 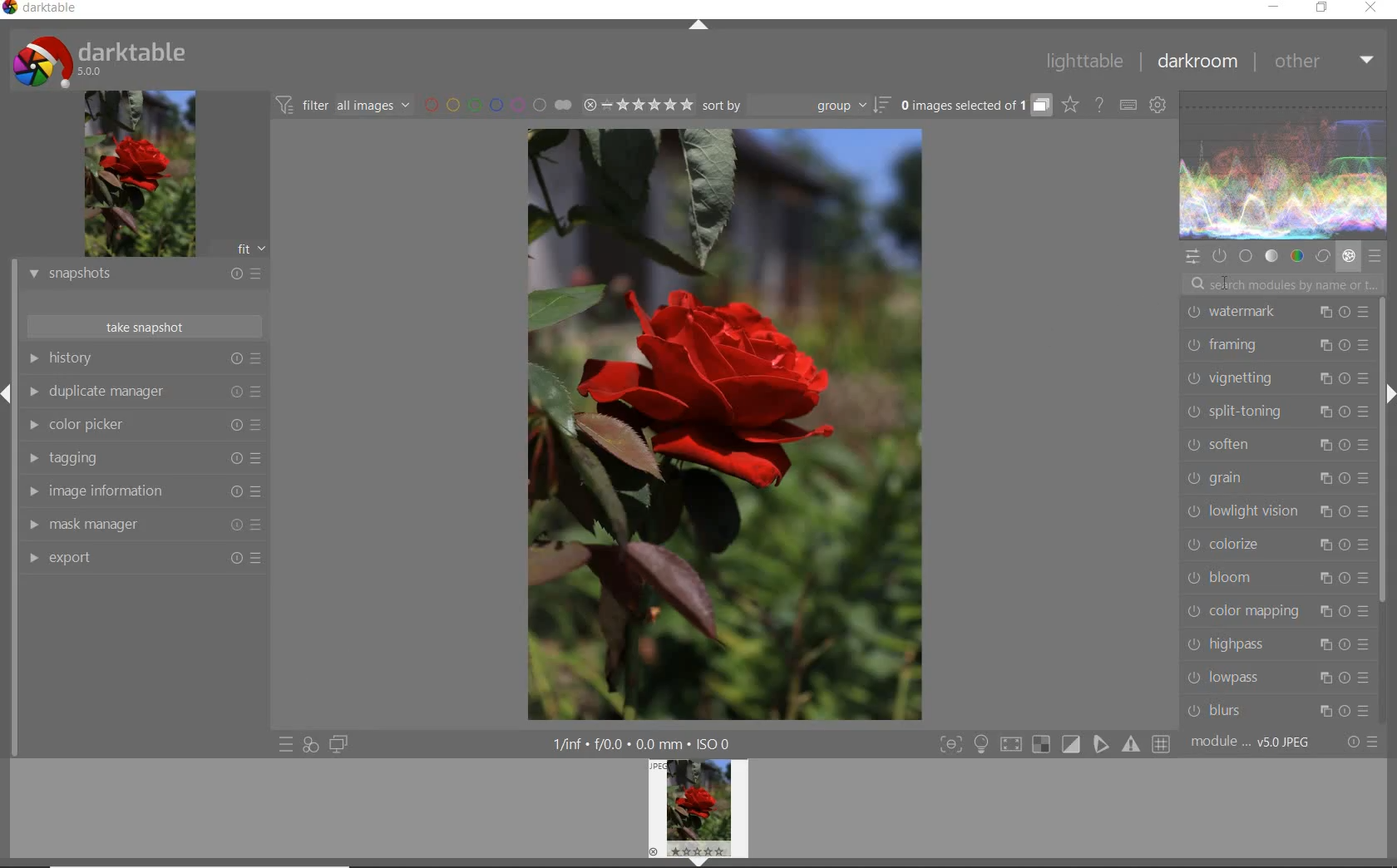 What do you see at coordinates (1087, 62) in the screenshot?
I see `lighttable` at bounding box center [1087, 62].